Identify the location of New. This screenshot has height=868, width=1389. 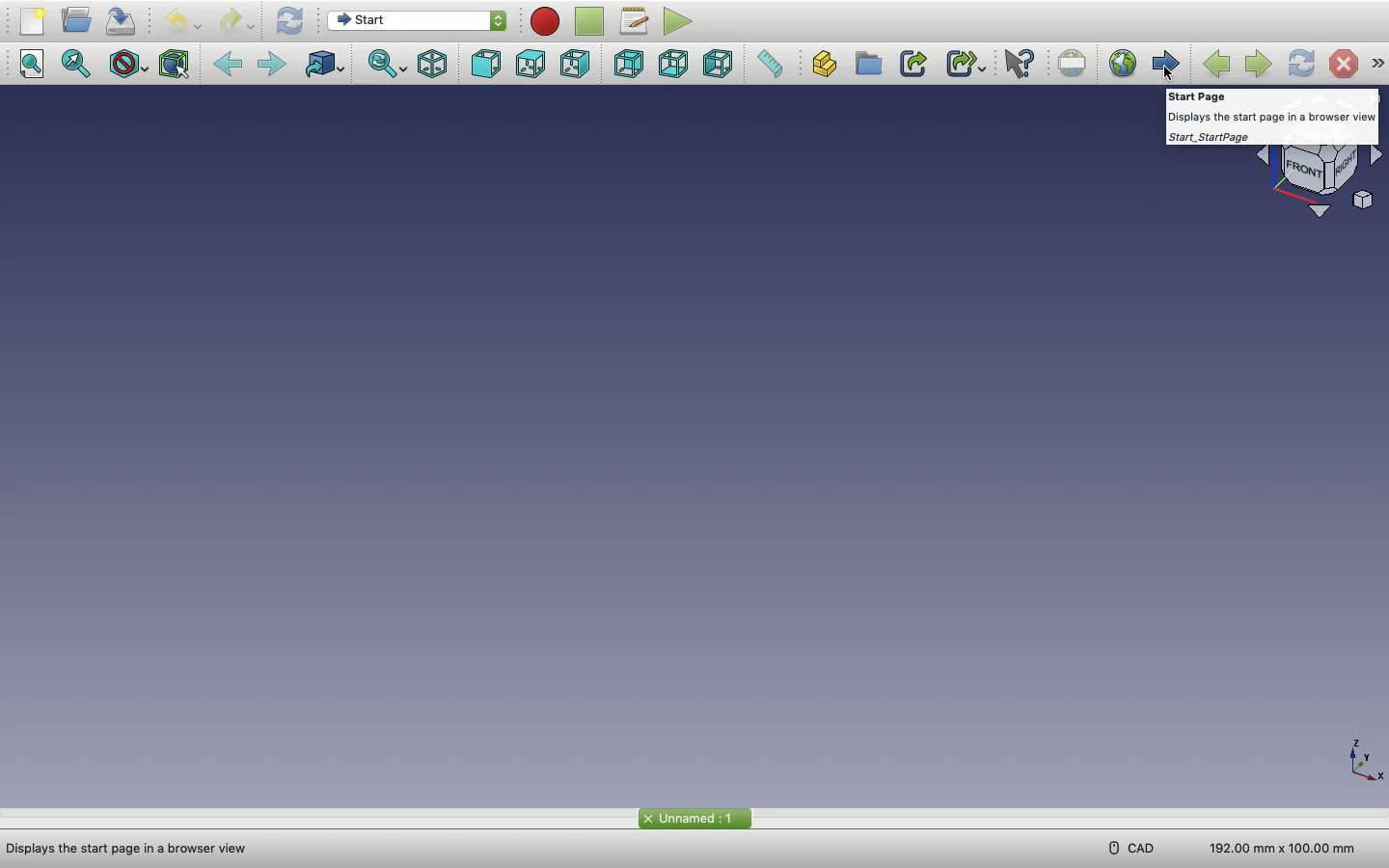
(34, 21).